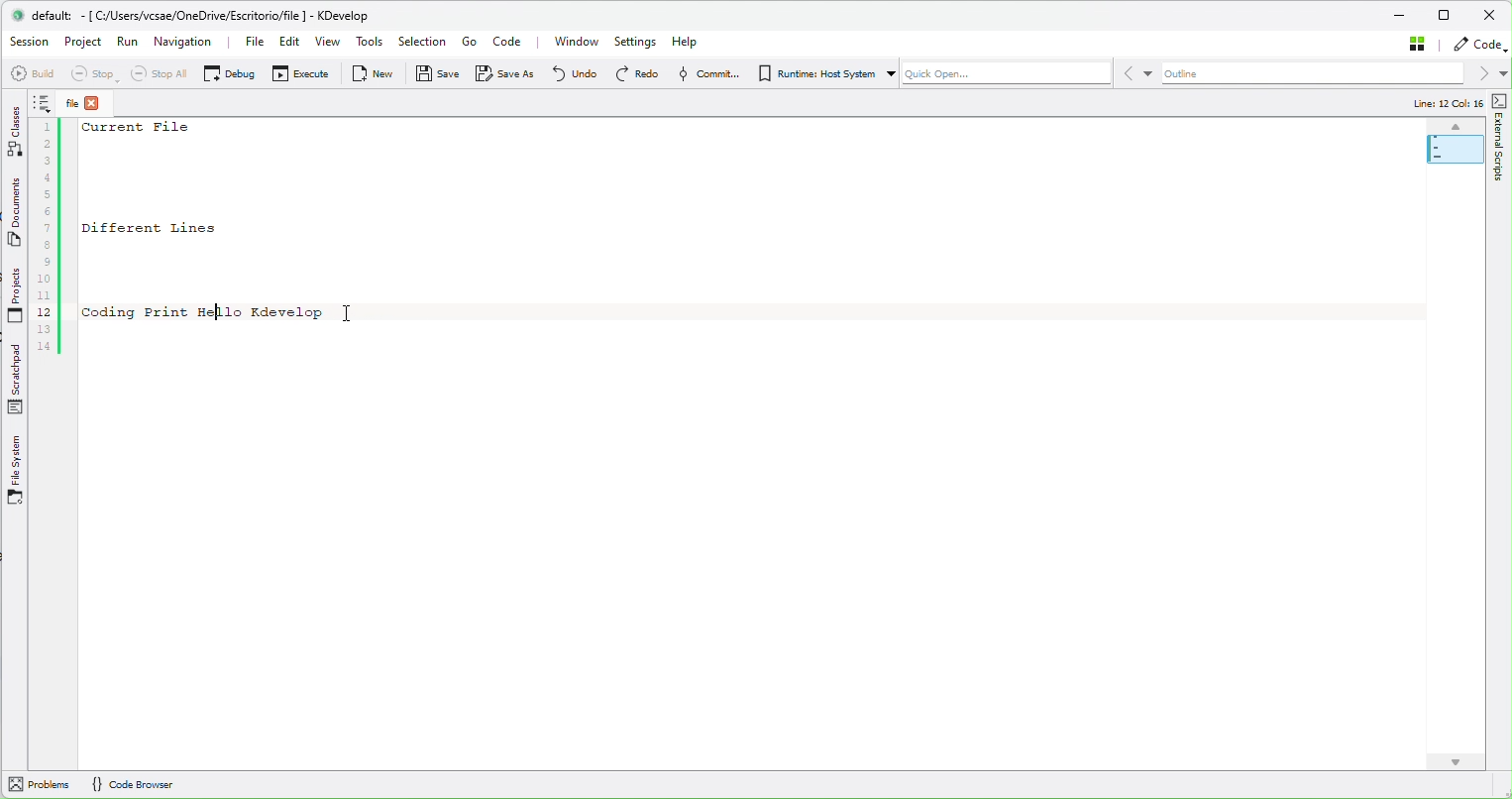 The width and height of the screenshot is (1512, 799). I want to click on File, so click(91, 100).